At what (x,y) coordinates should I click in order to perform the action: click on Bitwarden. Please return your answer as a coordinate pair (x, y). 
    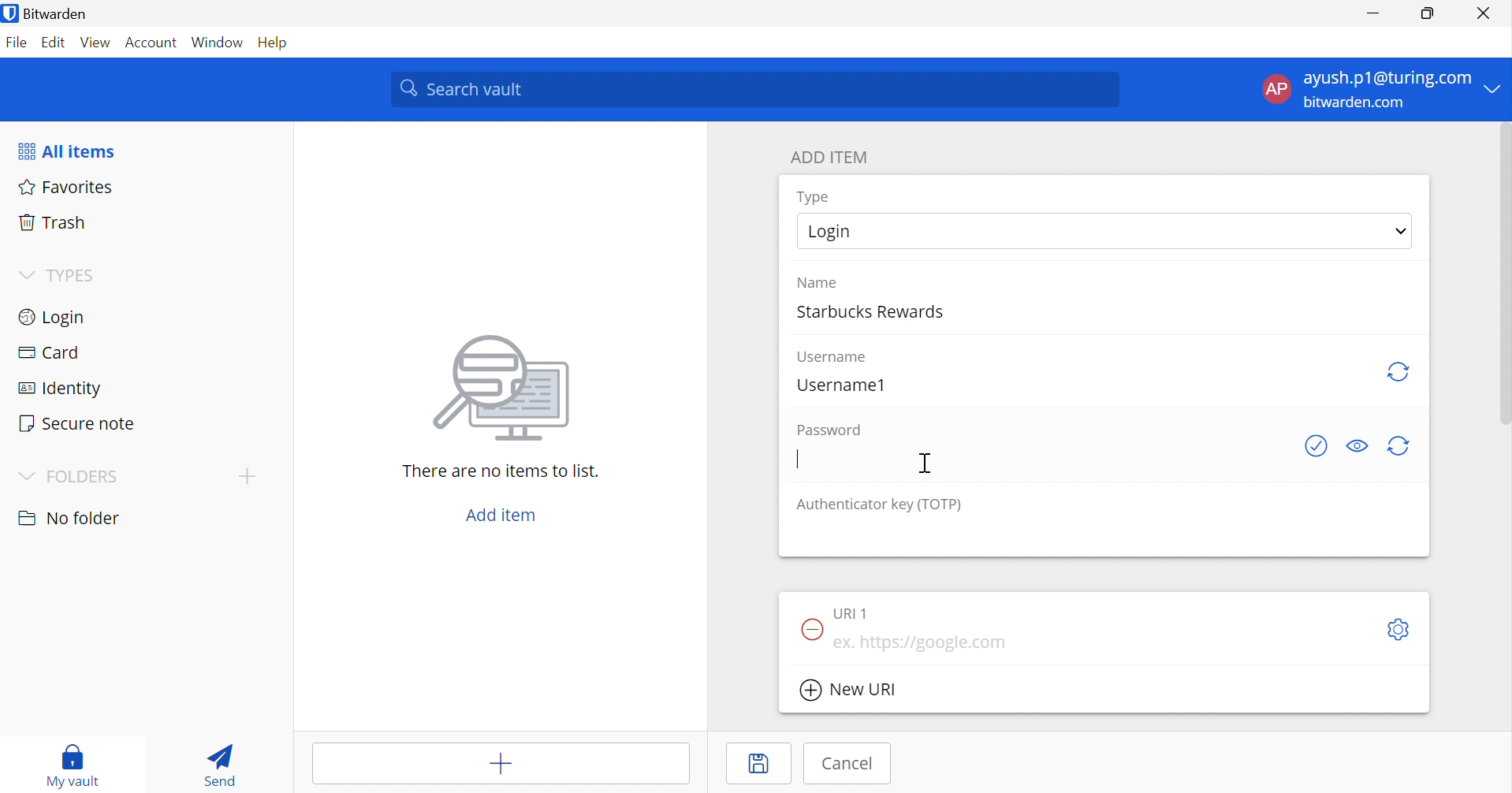
    Looking at the image, I should click on (48, 13).